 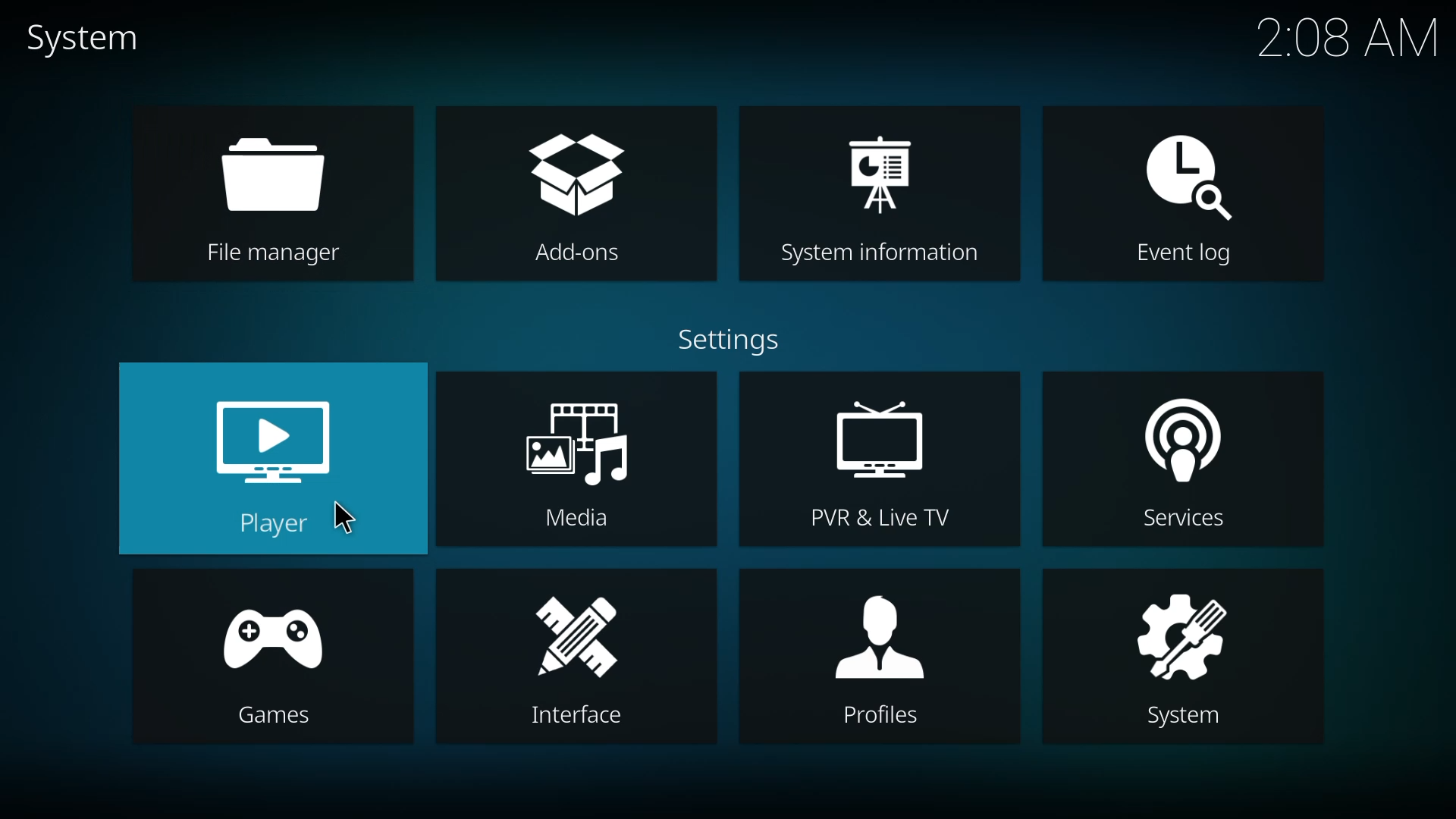 I want to click on player, so click(x=280, y=460).